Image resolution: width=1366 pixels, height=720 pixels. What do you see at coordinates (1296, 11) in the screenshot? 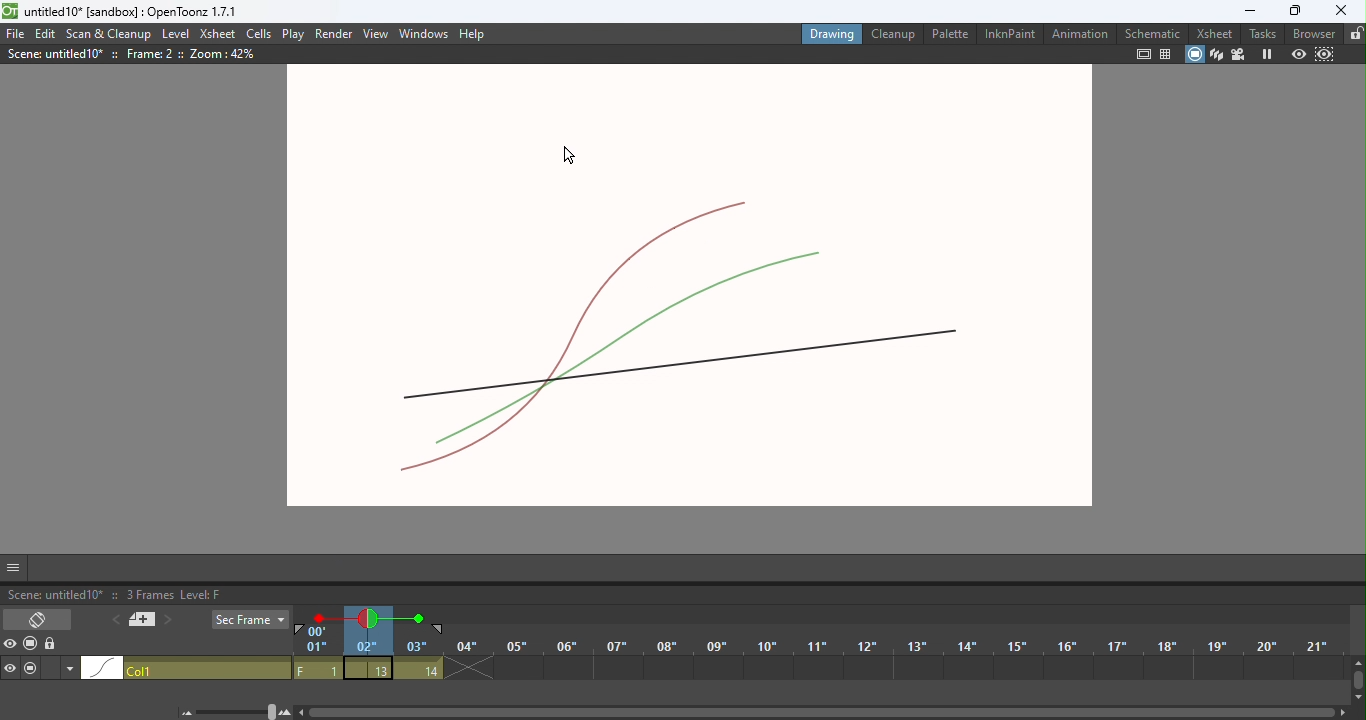
I see `maximize` at bounding box center [1296, 11].